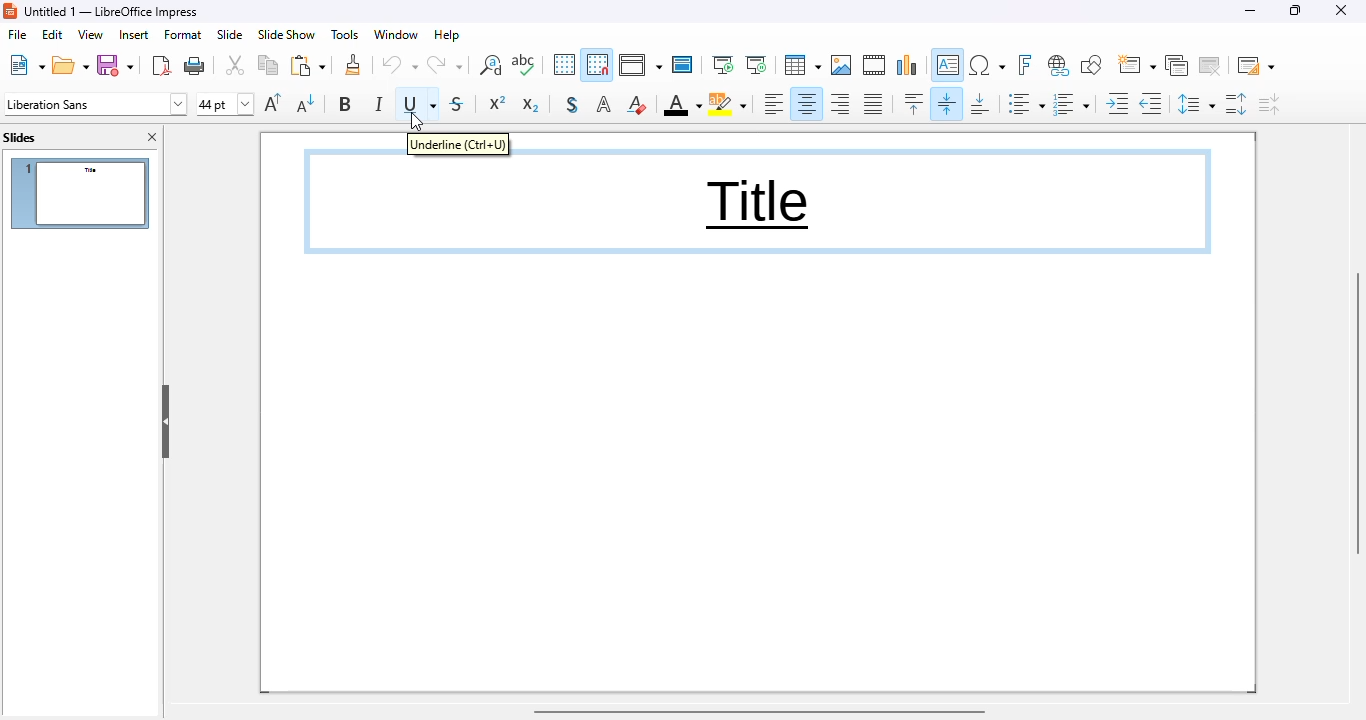 The height and width of the screenshot is (720, 1366). Describe the element at coordinates (116, 65) in the screenshot. I see `save` at that location.